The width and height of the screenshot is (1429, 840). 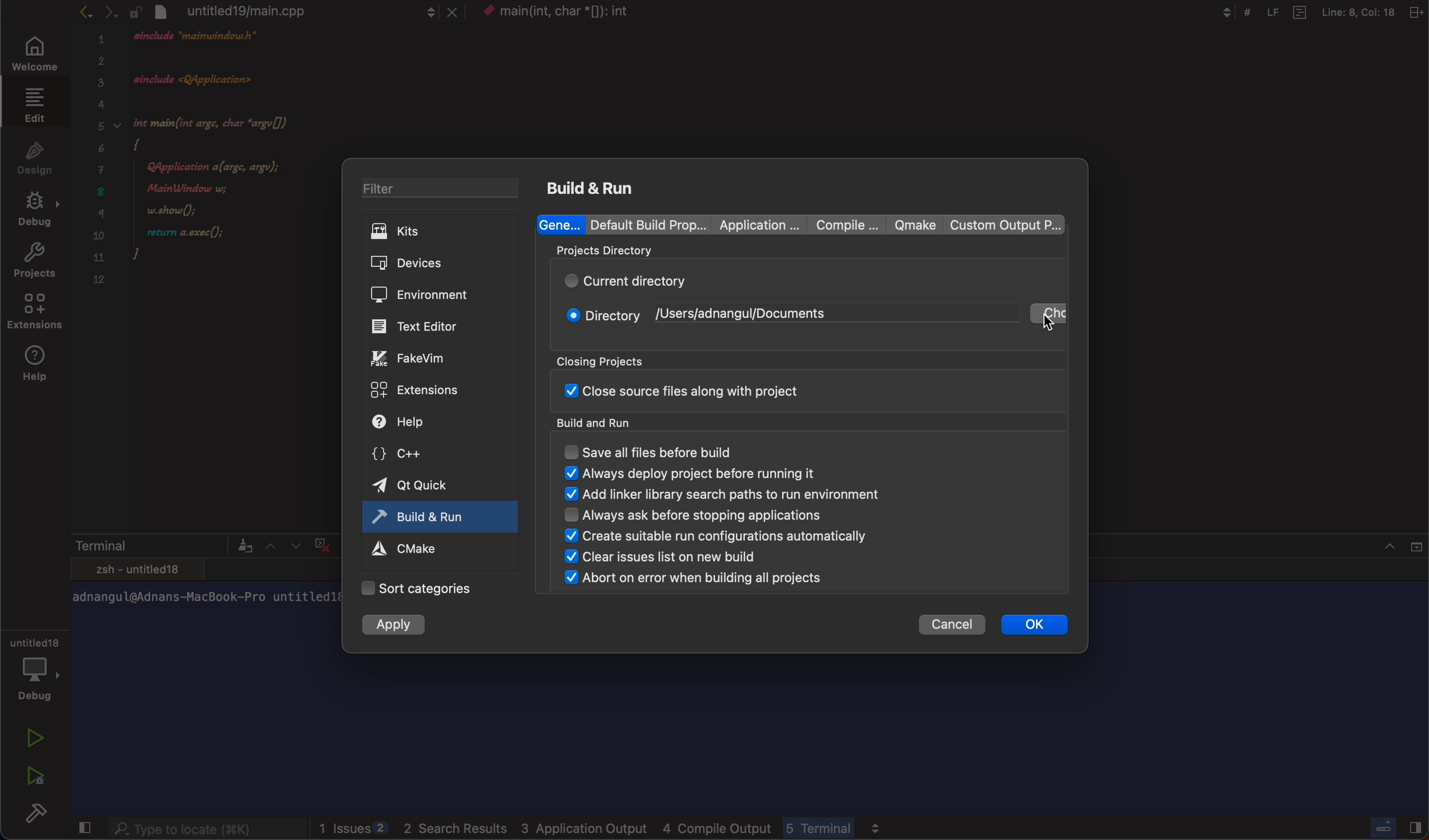 I want to click on close slidebar, so click(x=1392, y=826).